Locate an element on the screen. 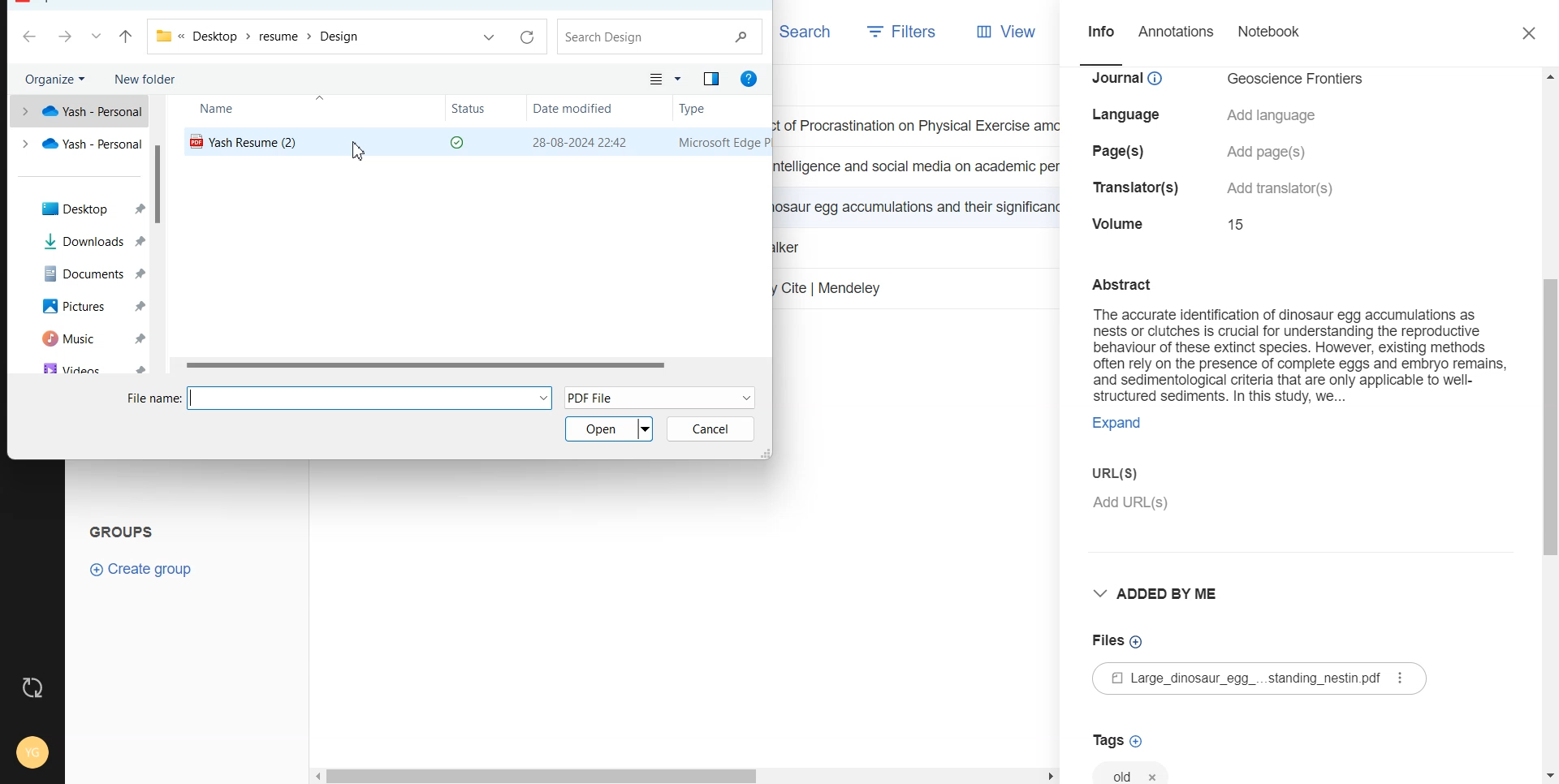 This screenshot has width=1559, height=784. details is located at coordinates (1138, 189).